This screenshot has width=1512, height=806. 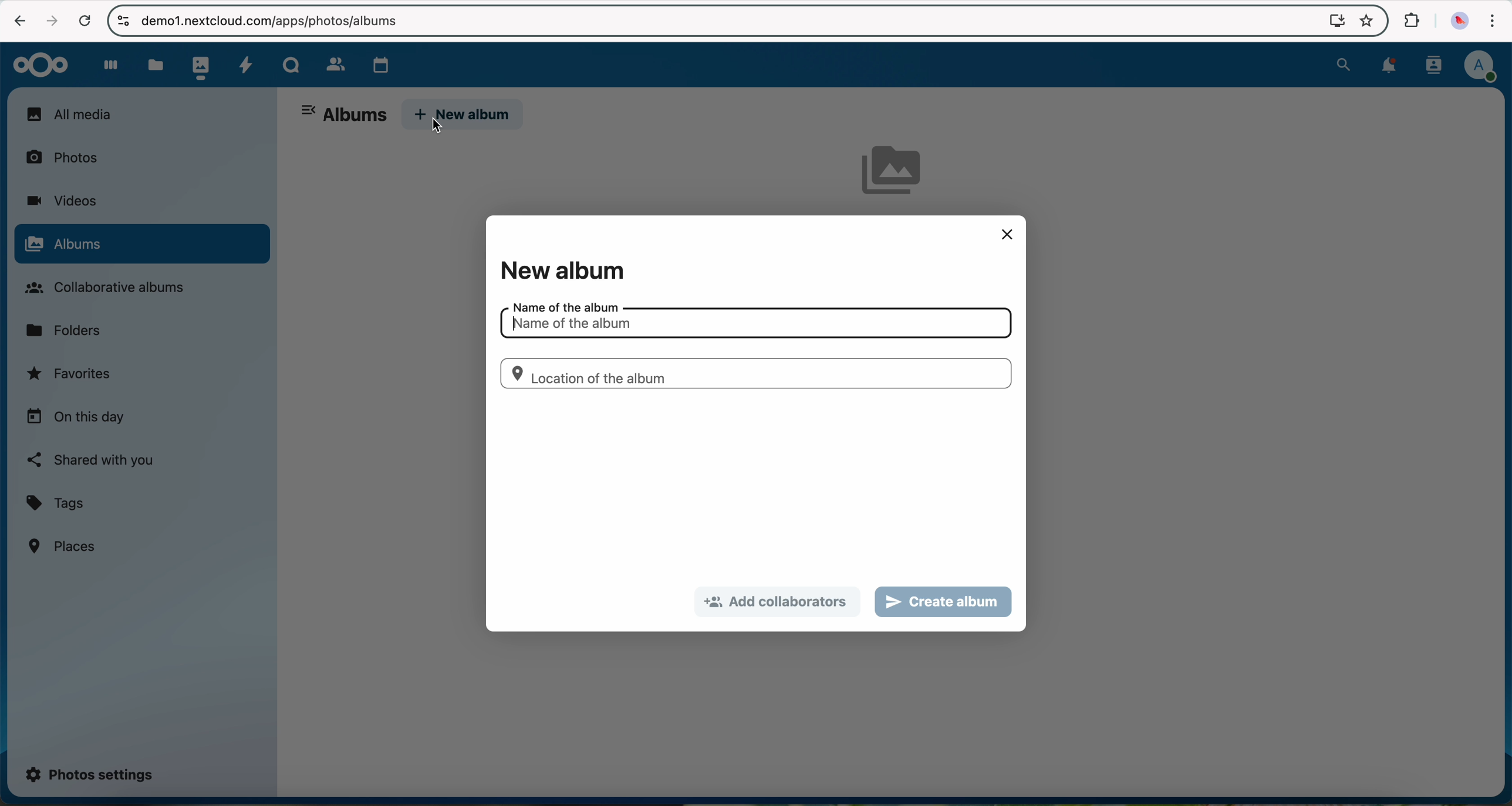 I want to click on all media, so click(x=141, y=114).